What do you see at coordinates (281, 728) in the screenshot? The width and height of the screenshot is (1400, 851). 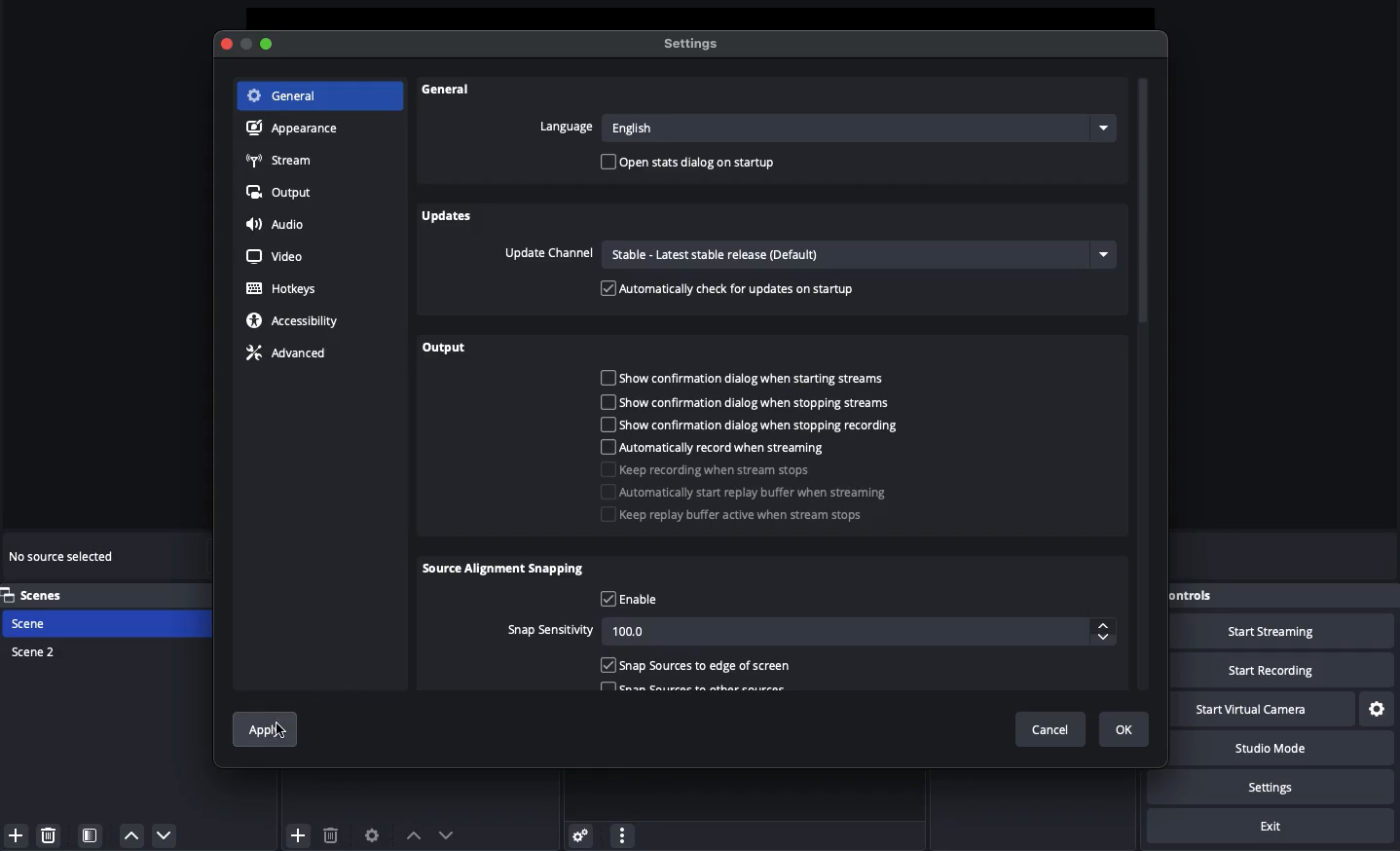 I see `Cursor` at bounding box center [281, 728].